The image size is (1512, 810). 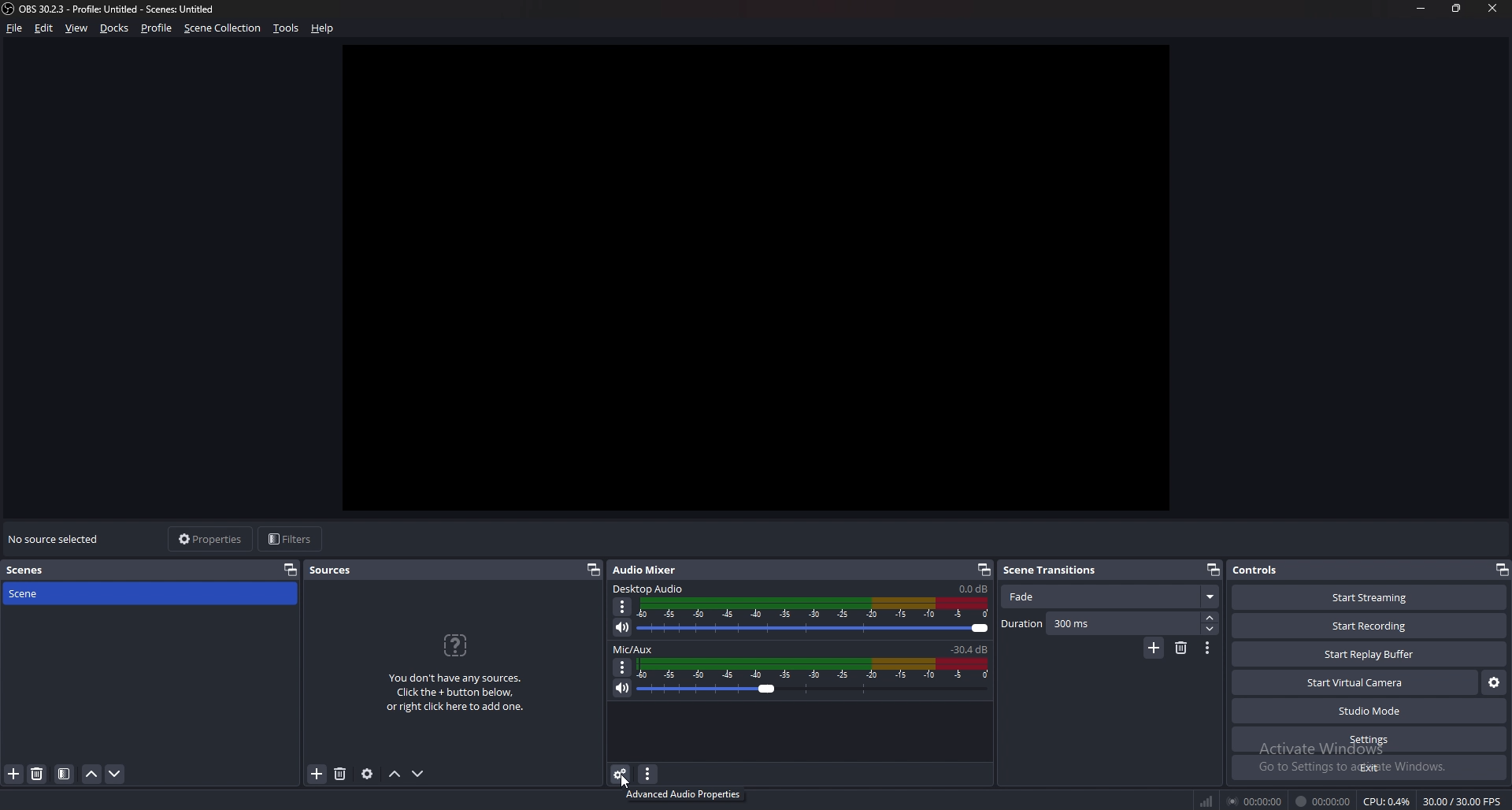 I want to click on help, so click(x=323, y=28).